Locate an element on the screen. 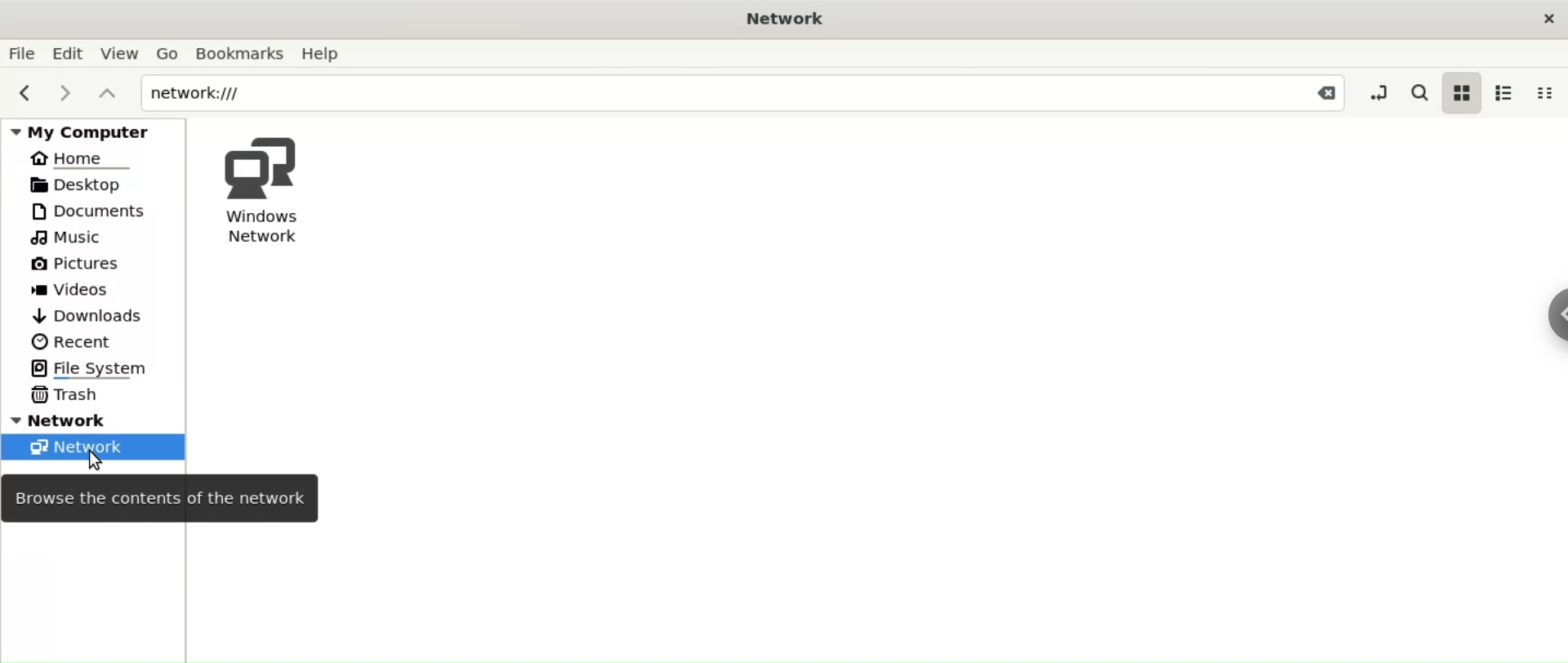 This screenshot has height=663, width=1568. Pictures is located at coordinates (74, 265).